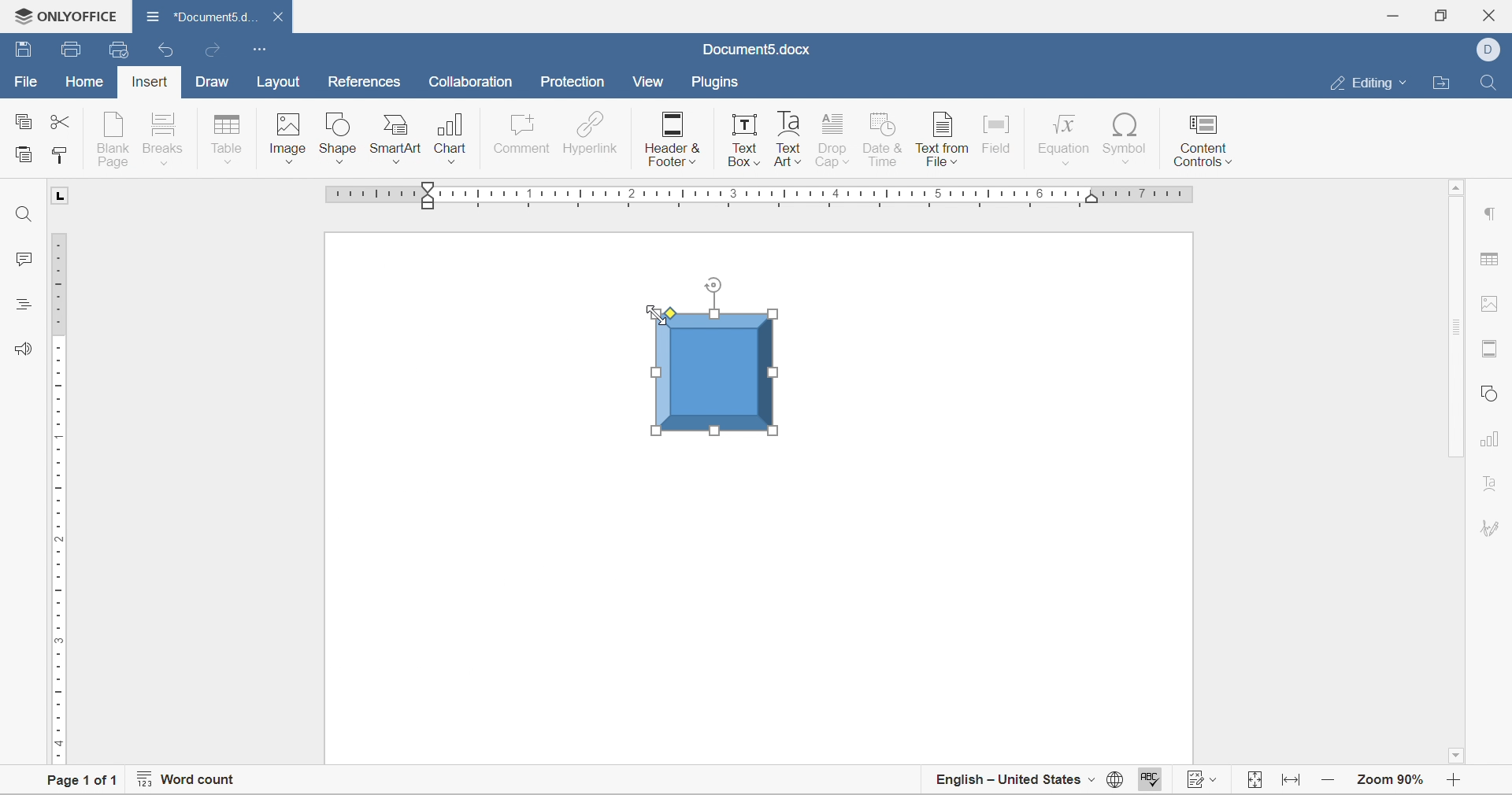 Image resolution: width=1512 pixels, height=795 pixels. Describe the element at coordinates (573, 81) in the screenshot. I see `protection` at that location.